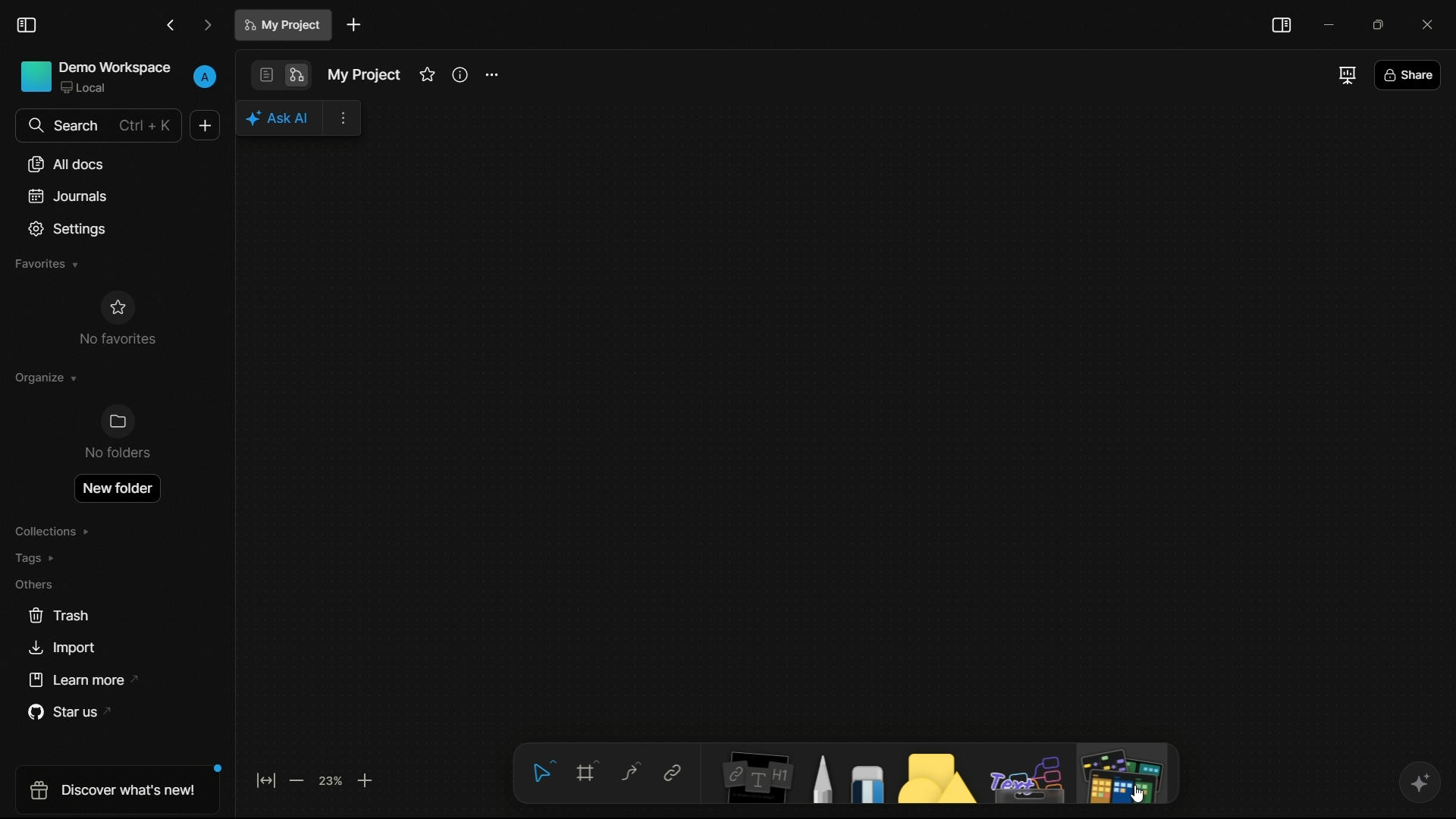  What do you see at coordinates (541, 770) in the screenshot?
I see `select` at bounding box center [541, 770].